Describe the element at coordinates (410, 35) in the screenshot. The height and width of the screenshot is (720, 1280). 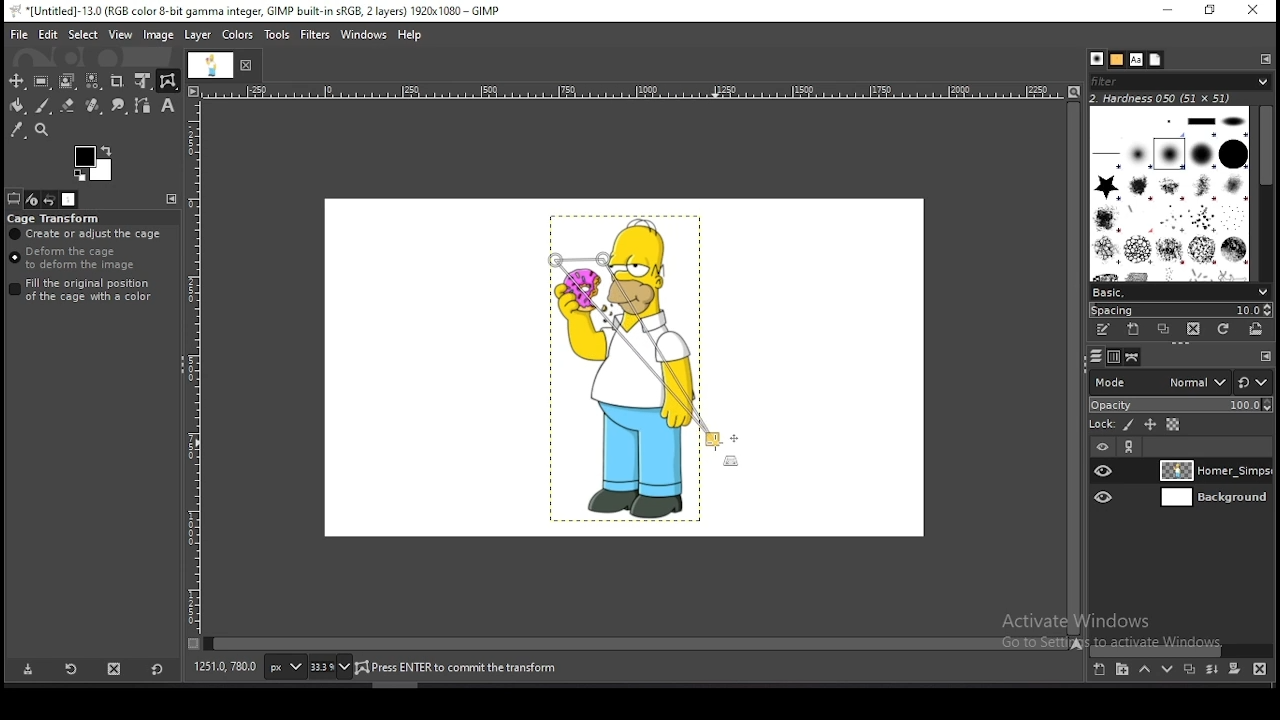
I see `help` at that location.